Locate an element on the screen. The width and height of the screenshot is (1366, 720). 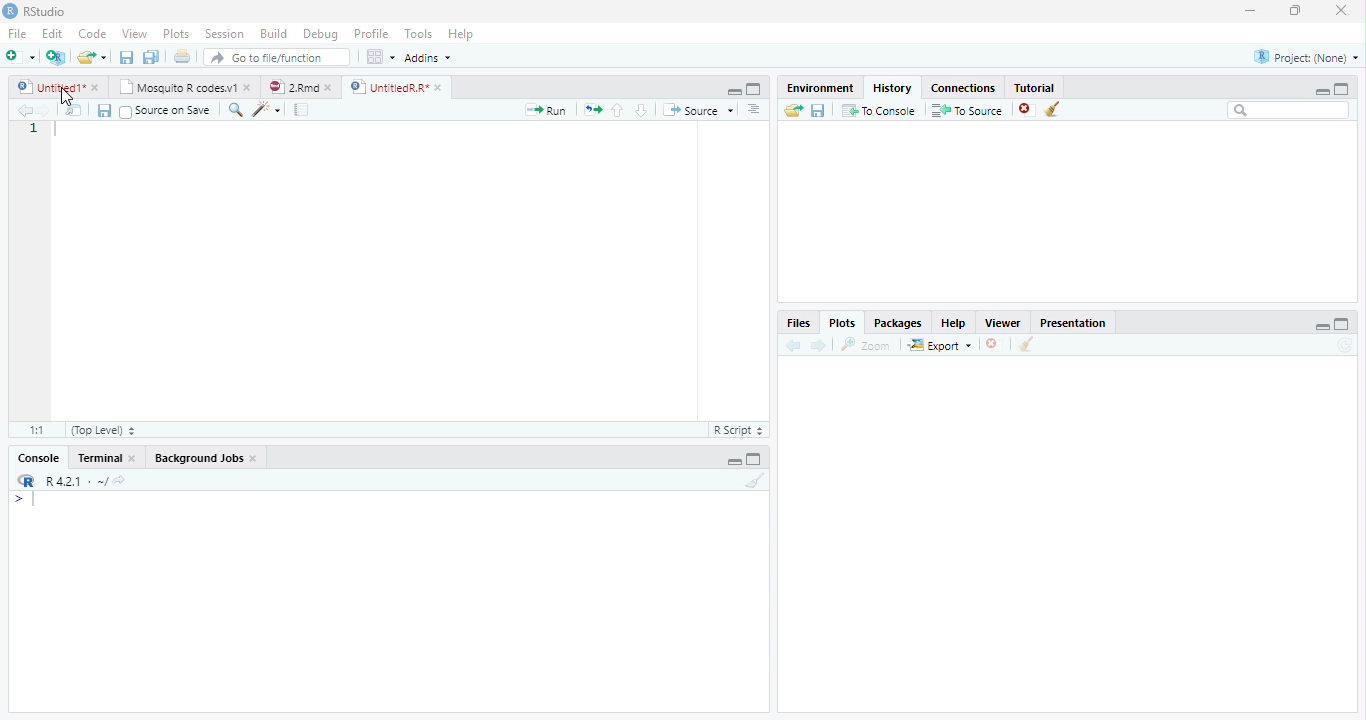
Maximize is located at coordinates (1296, 13).